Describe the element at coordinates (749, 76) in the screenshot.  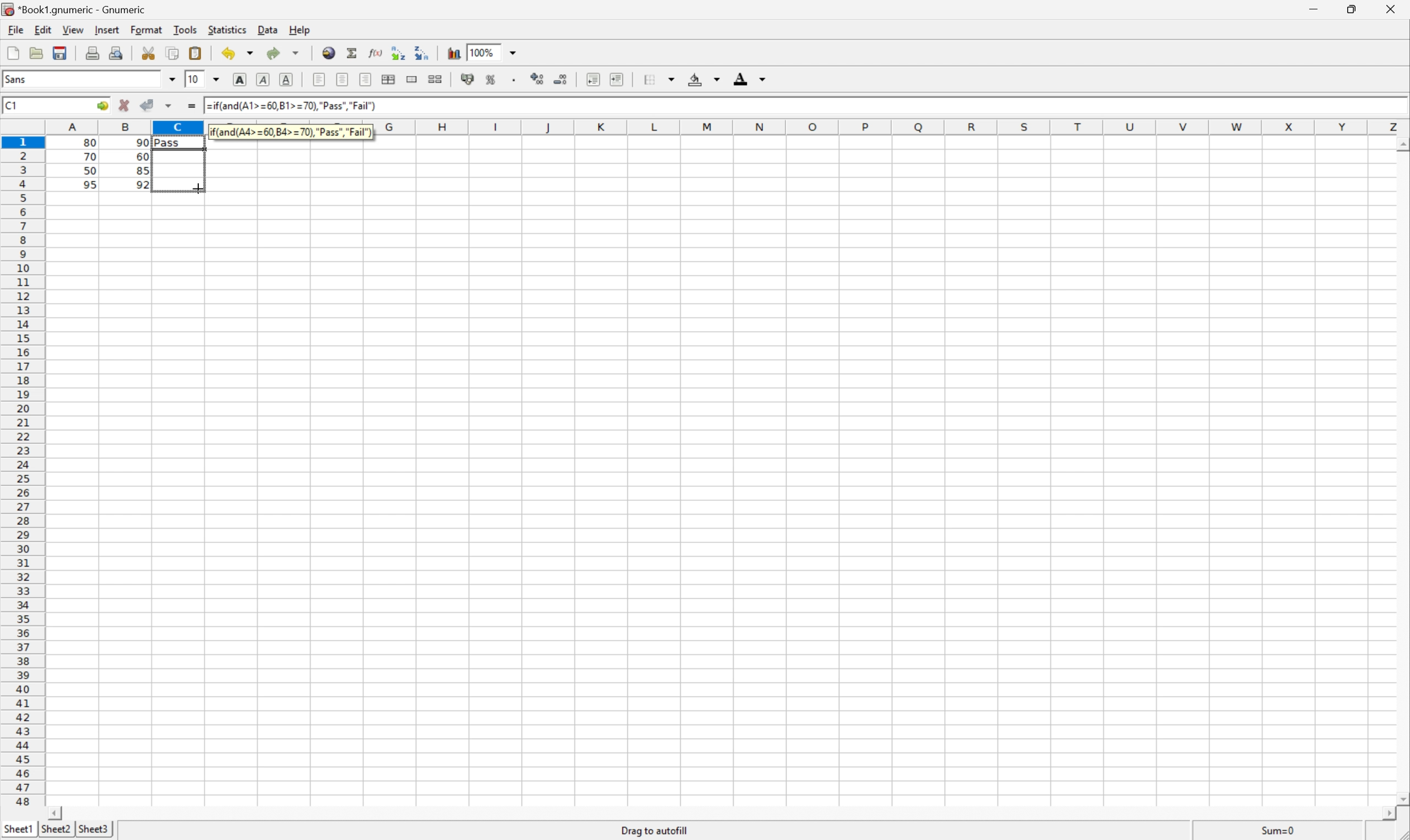
I see `Foreground` at that location.